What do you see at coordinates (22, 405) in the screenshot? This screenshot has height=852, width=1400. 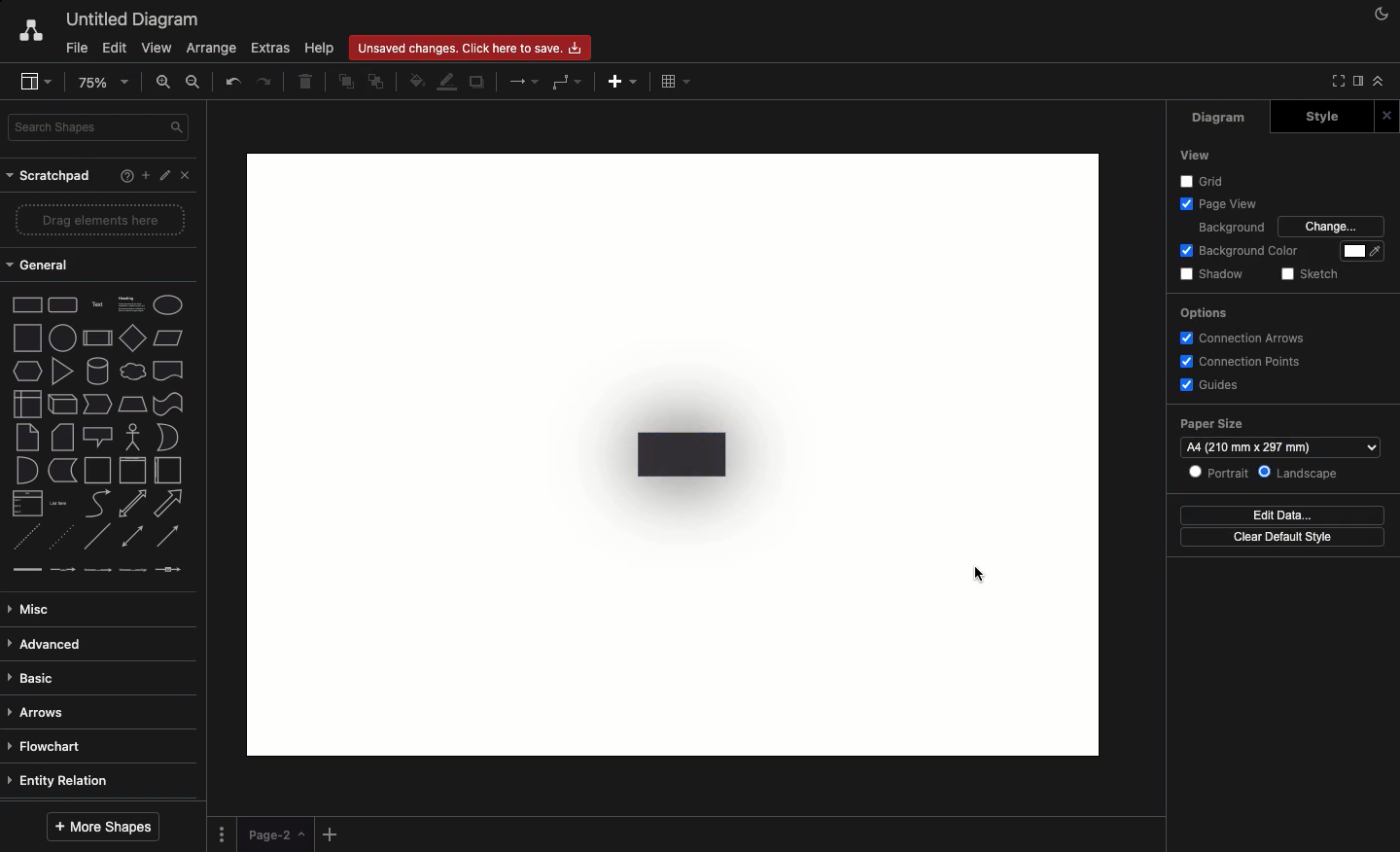 I see `internal storage` at bounding box center [22, 405].